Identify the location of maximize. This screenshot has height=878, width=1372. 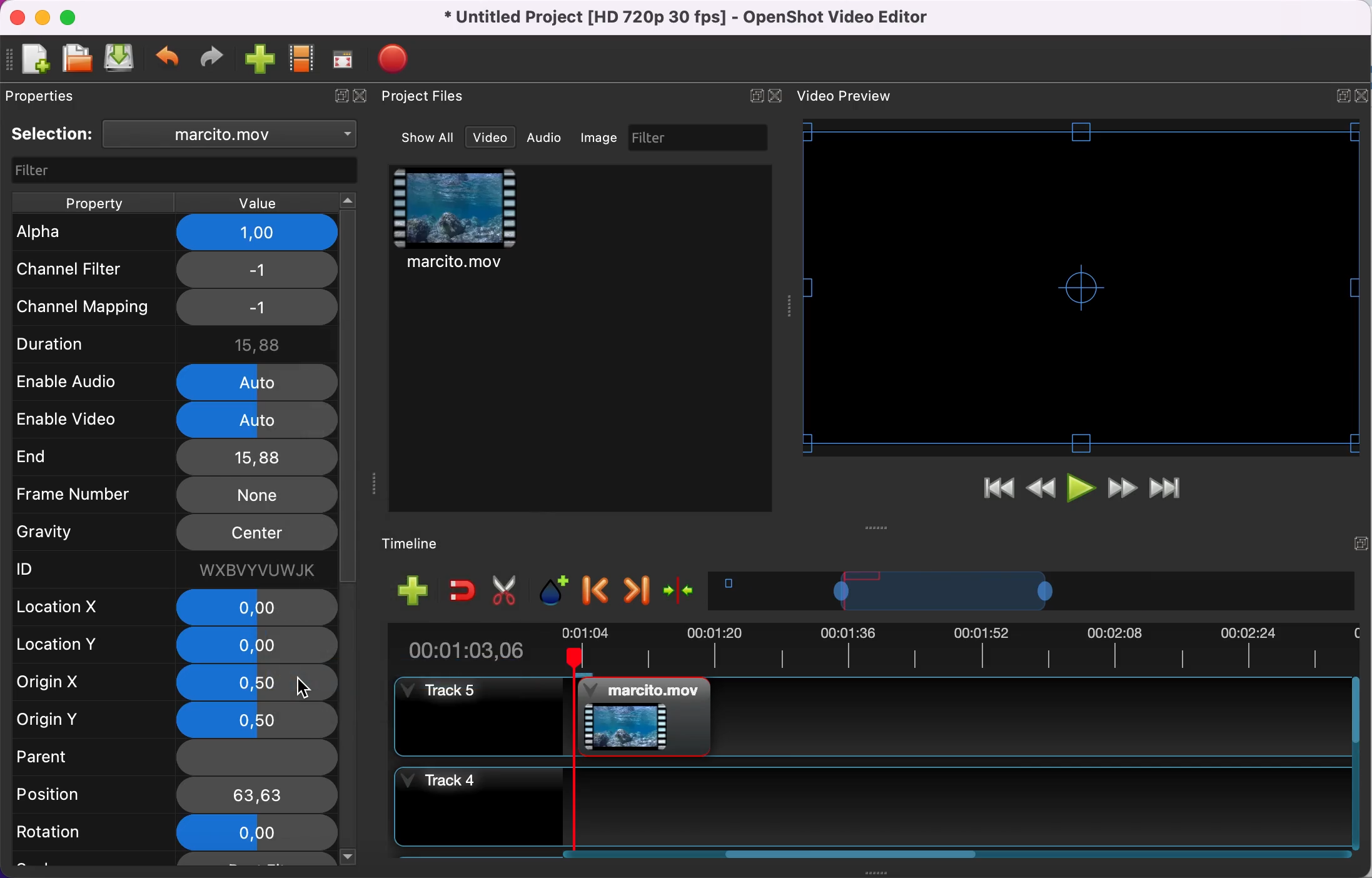
(72, 17).